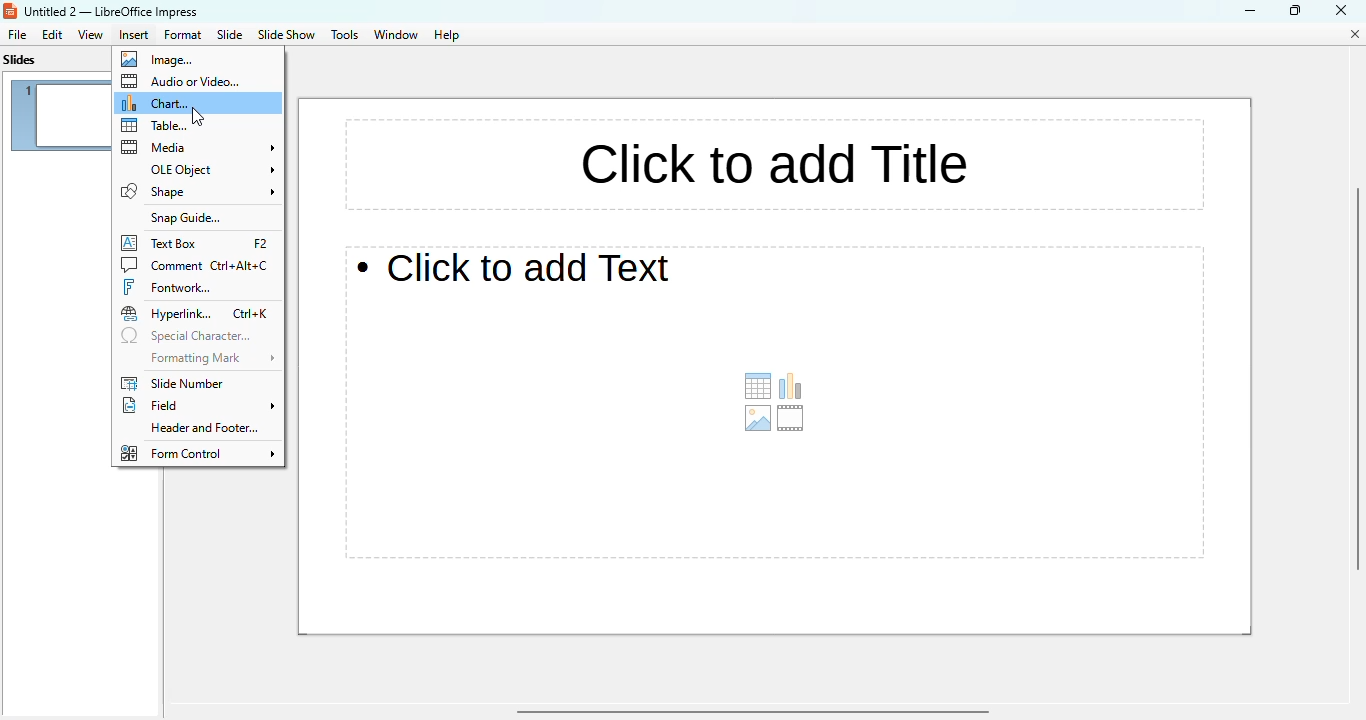  What do you see at coordinates (1342, 10) in the screenshot?
I see `close` at bounding box center [1342, 10].